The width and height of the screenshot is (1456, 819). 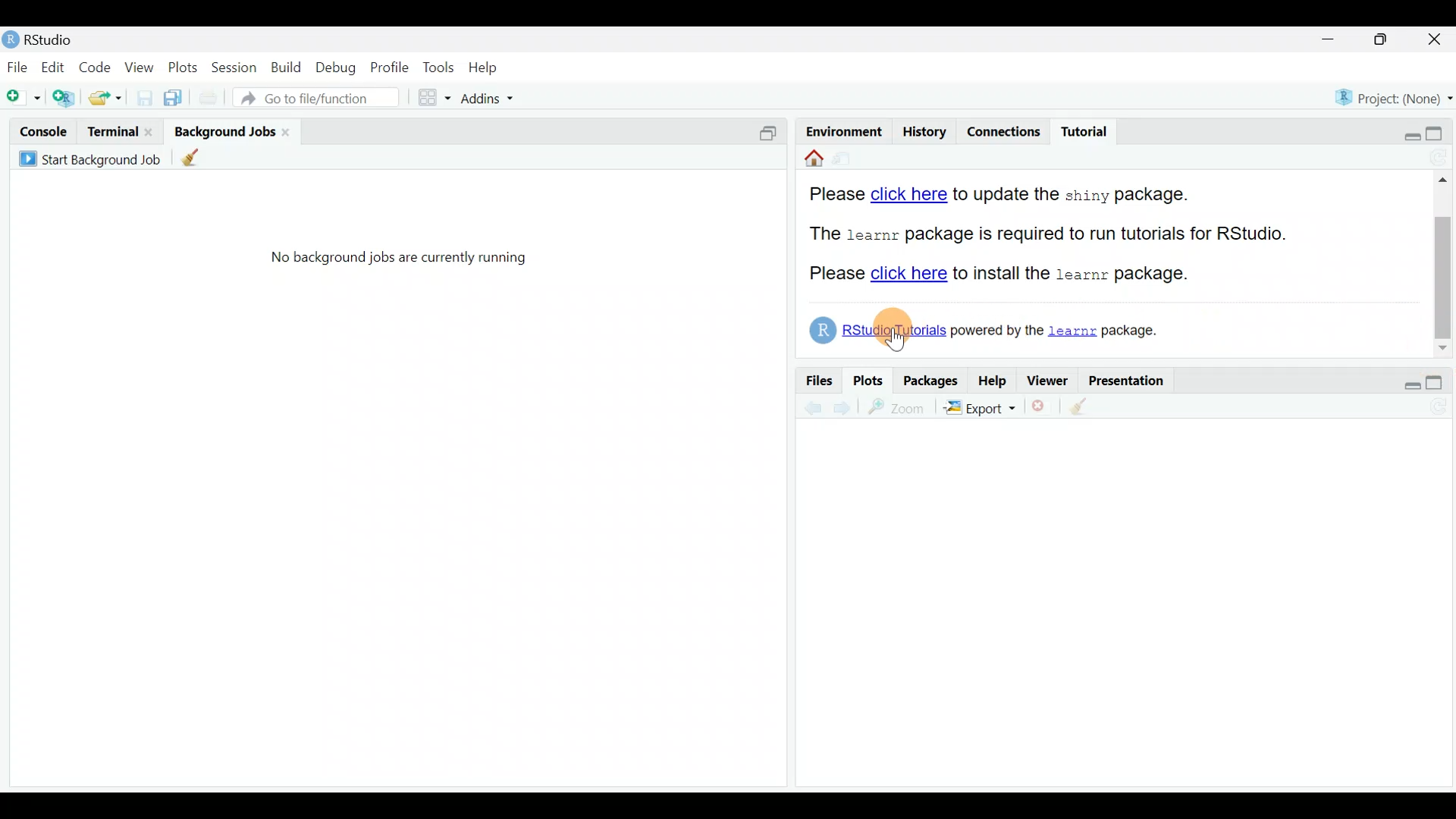 I want to click on RStudio Tutorials, so click(x=878, y=328).